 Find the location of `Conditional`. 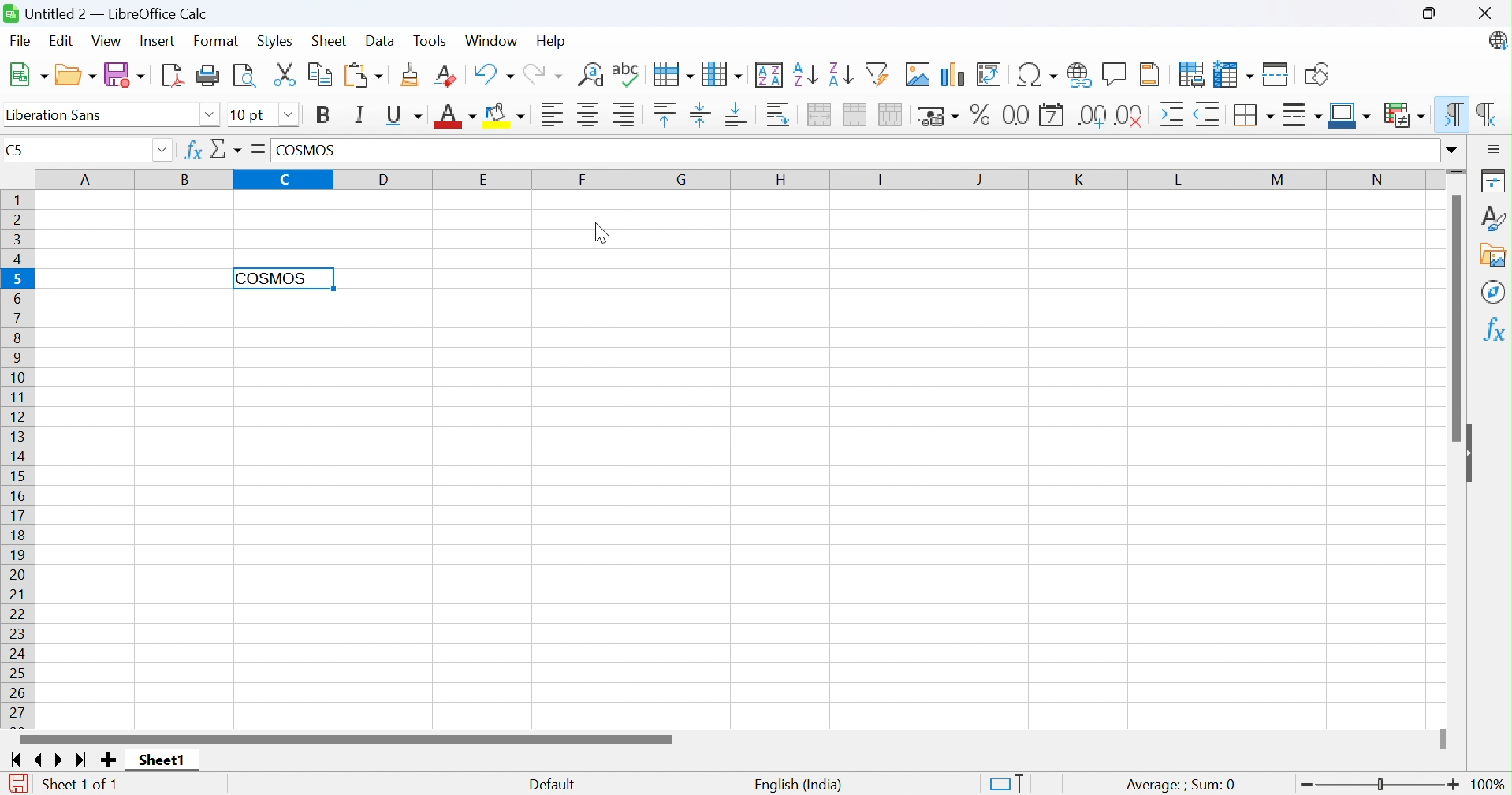

Conditional is located at coordinates (1406, 115).